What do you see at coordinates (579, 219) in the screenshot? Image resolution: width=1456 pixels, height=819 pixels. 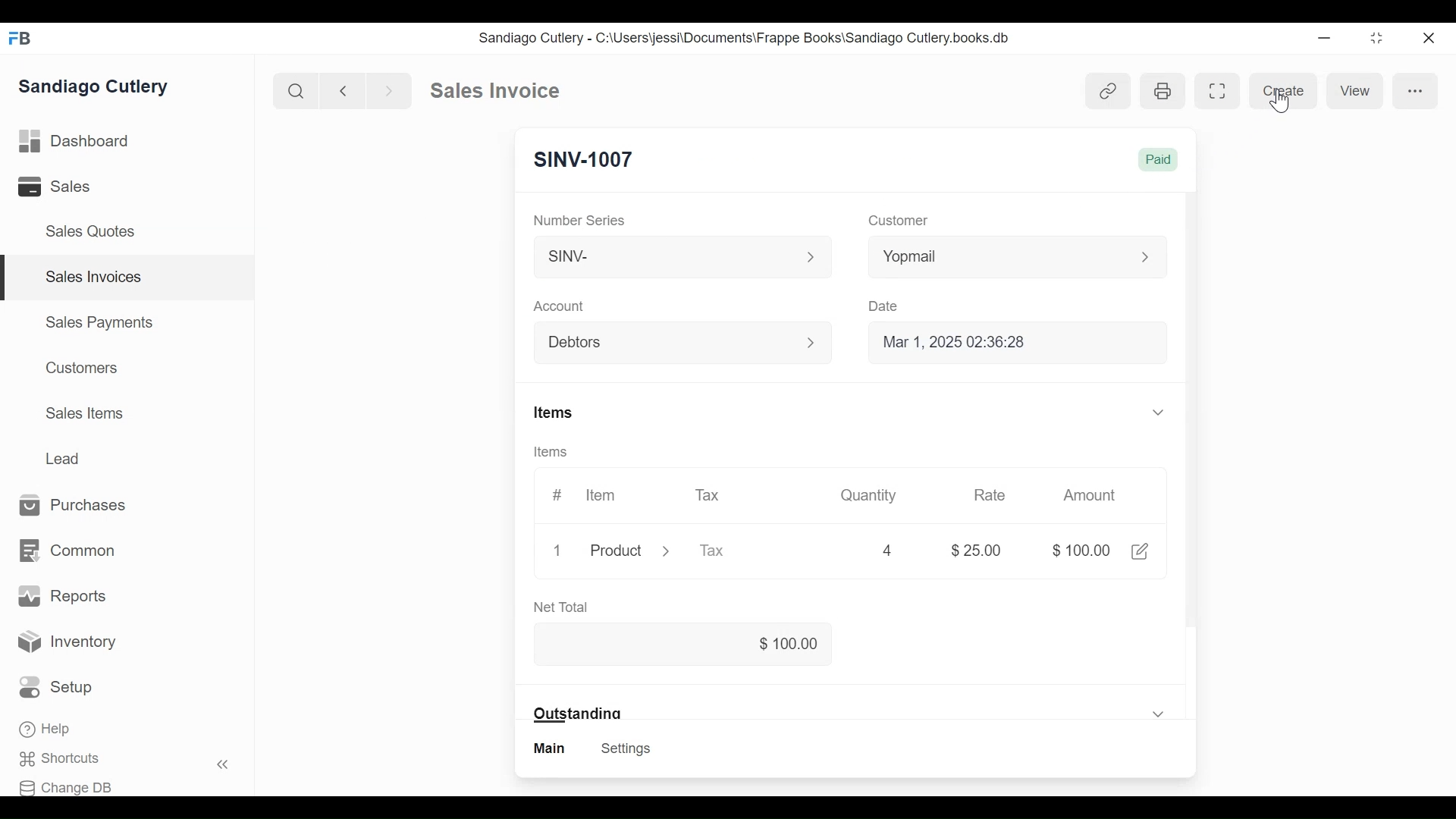 I see `Number Series` at bounding box center [579, 219].